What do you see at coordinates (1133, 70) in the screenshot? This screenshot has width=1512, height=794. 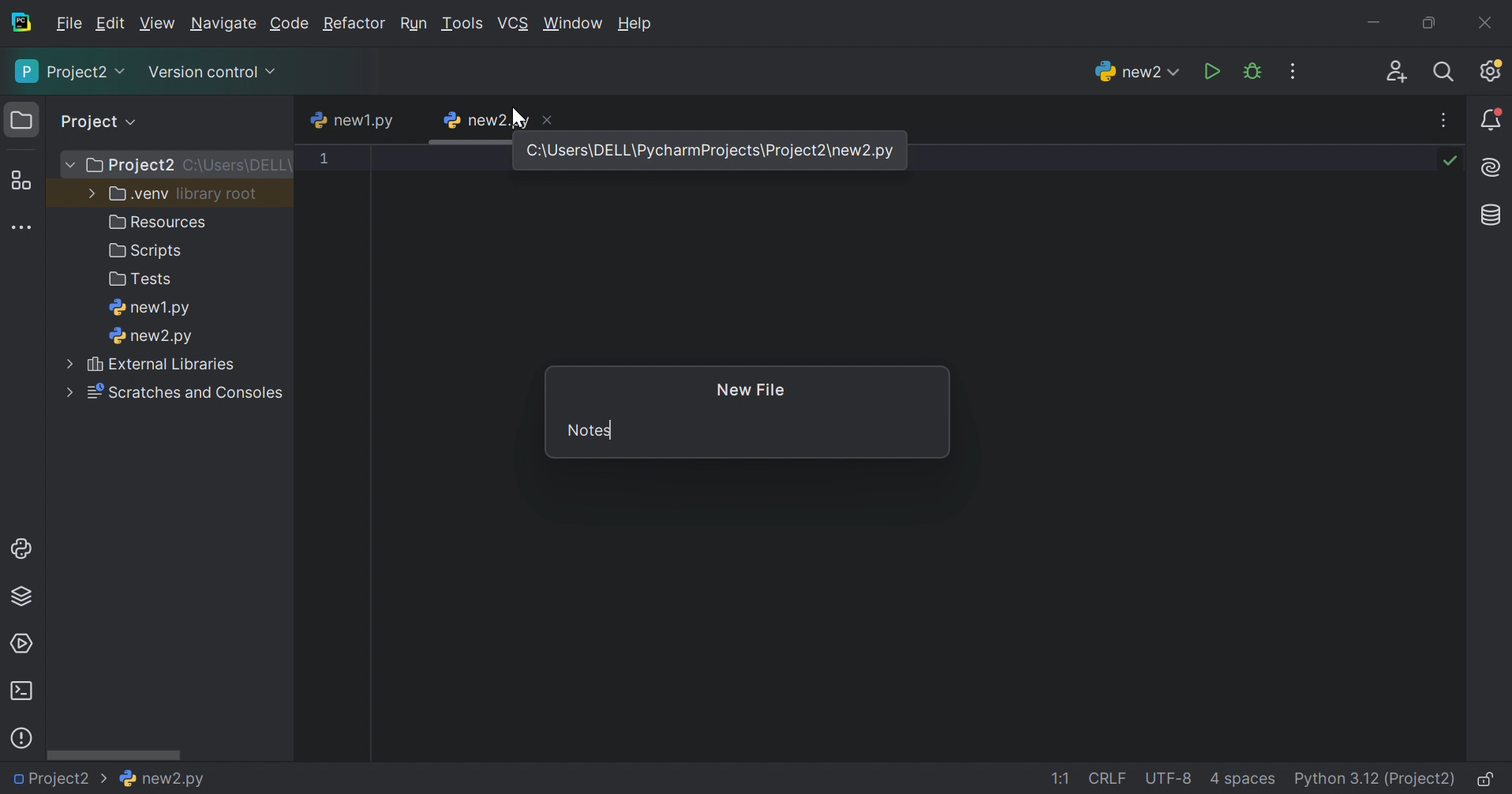 I see `new2.py` at bounding box center [1133, 70].